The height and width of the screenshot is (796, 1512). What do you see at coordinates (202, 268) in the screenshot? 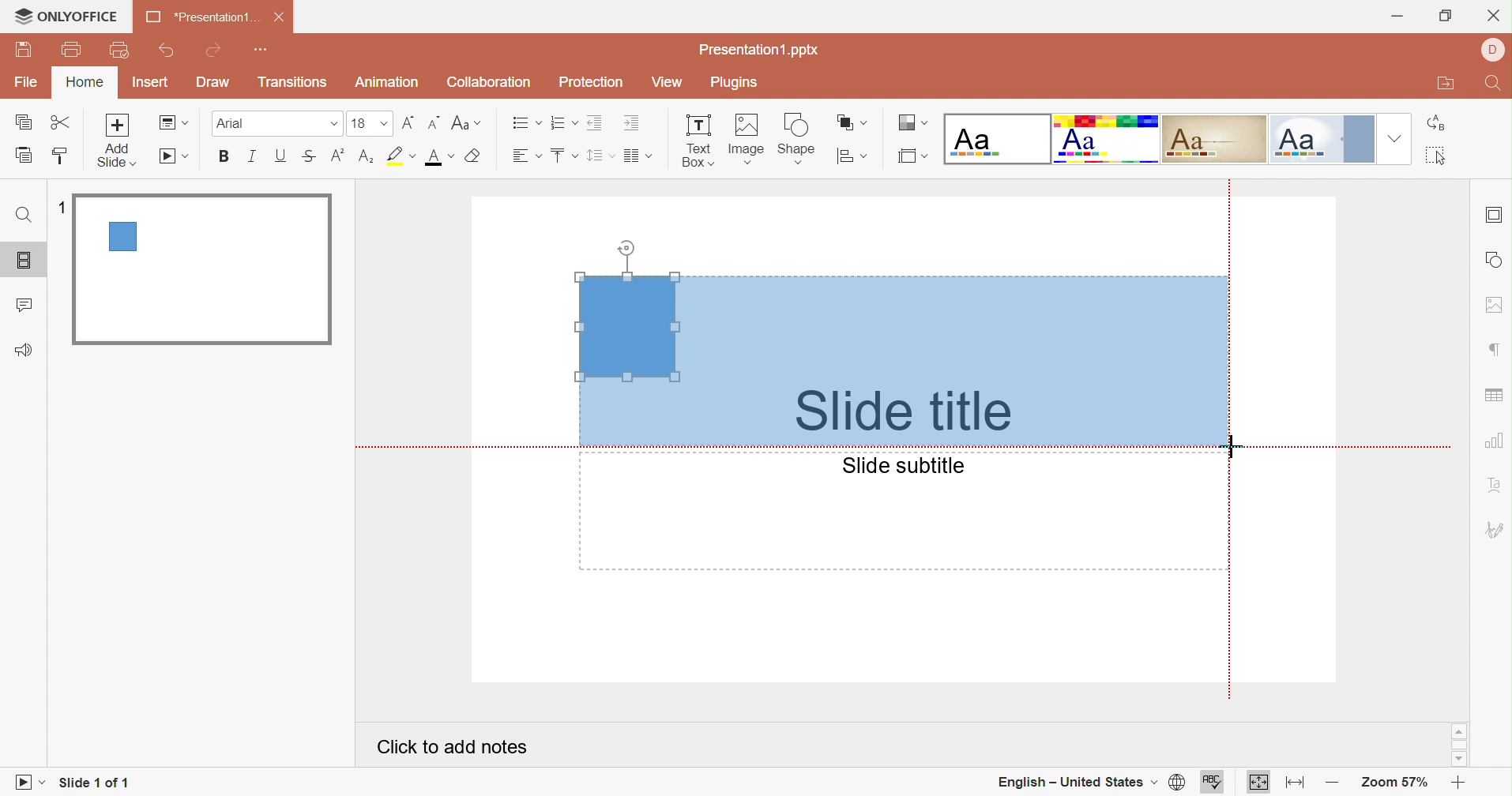
I see `Slide` at bounding box center [202, 268].